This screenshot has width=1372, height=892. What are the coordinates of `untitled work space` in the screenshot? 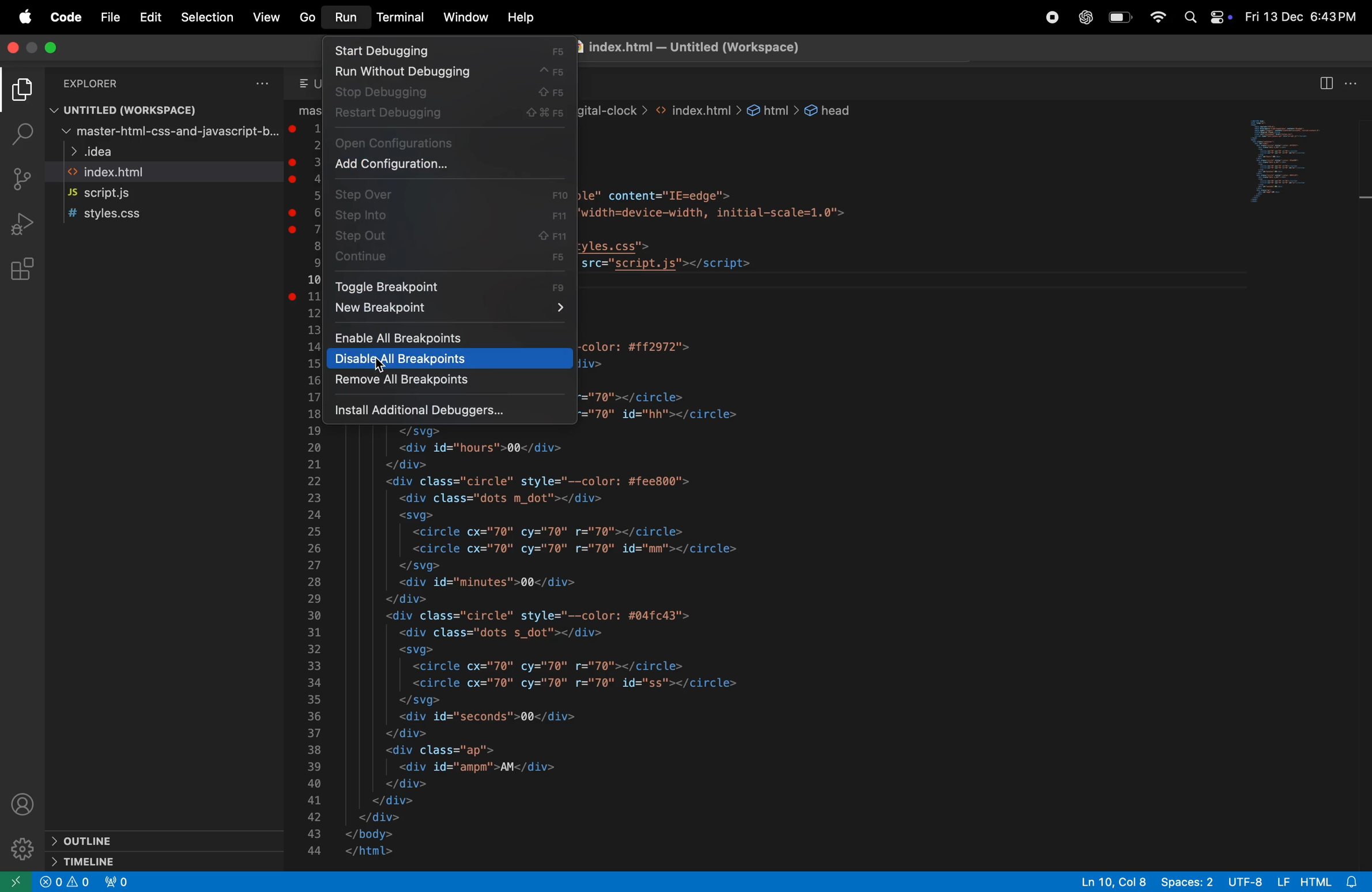 It's located at (125, 110).